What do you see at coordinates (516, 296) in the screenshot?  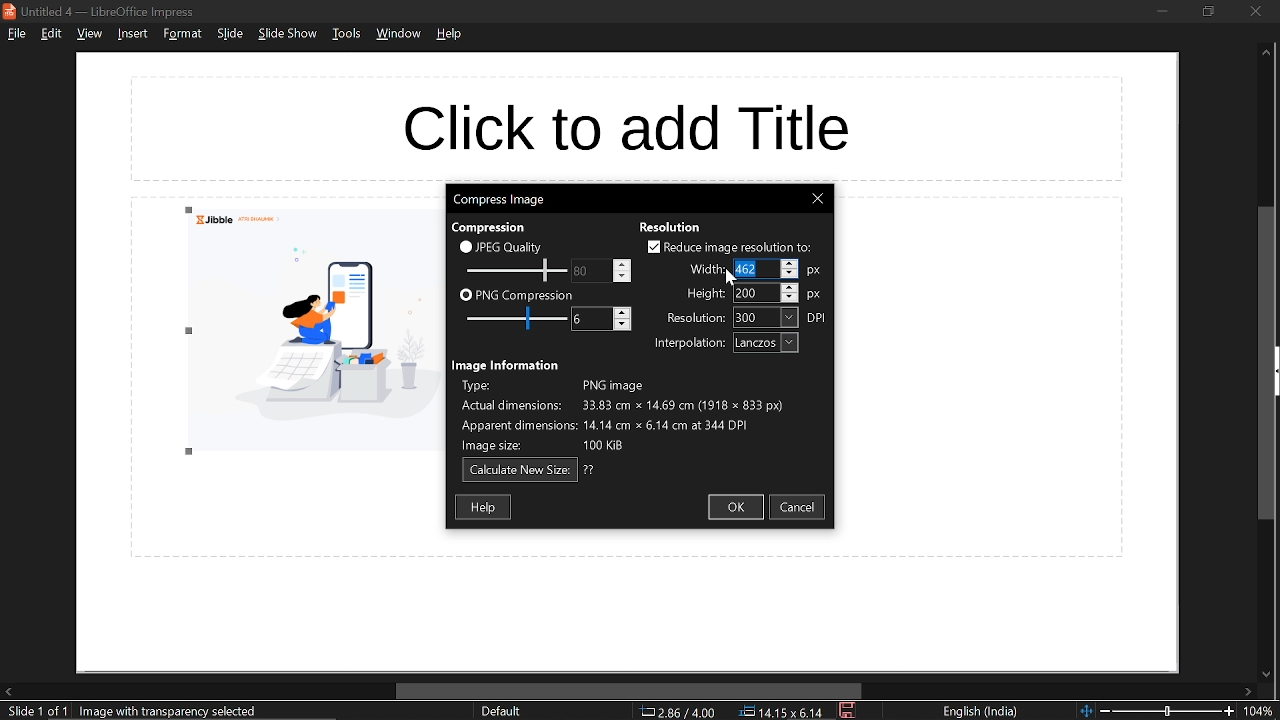 I see `PNG compression` at bounding box center [516, 296].